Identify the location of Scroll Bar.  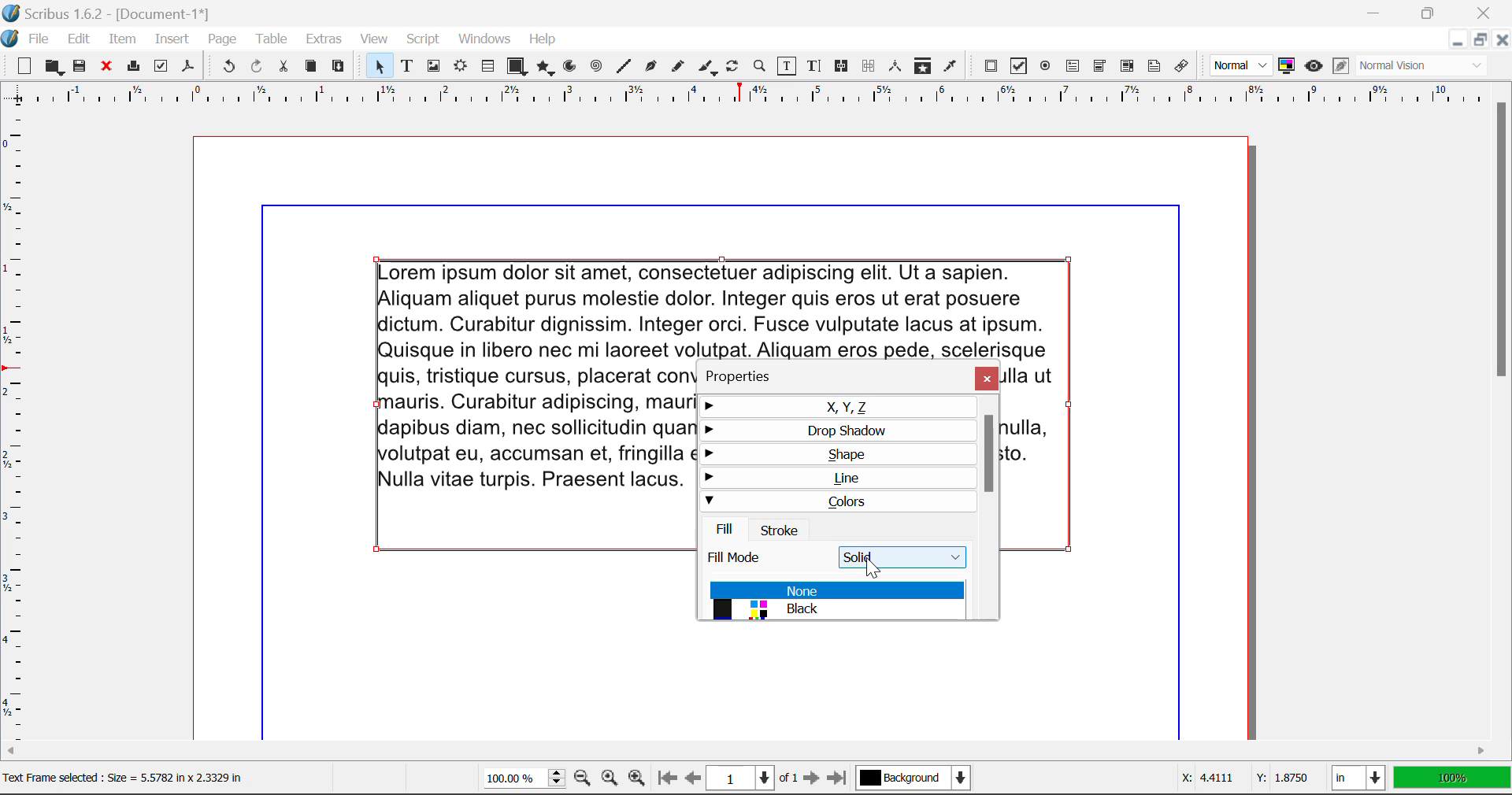
(747, 753).